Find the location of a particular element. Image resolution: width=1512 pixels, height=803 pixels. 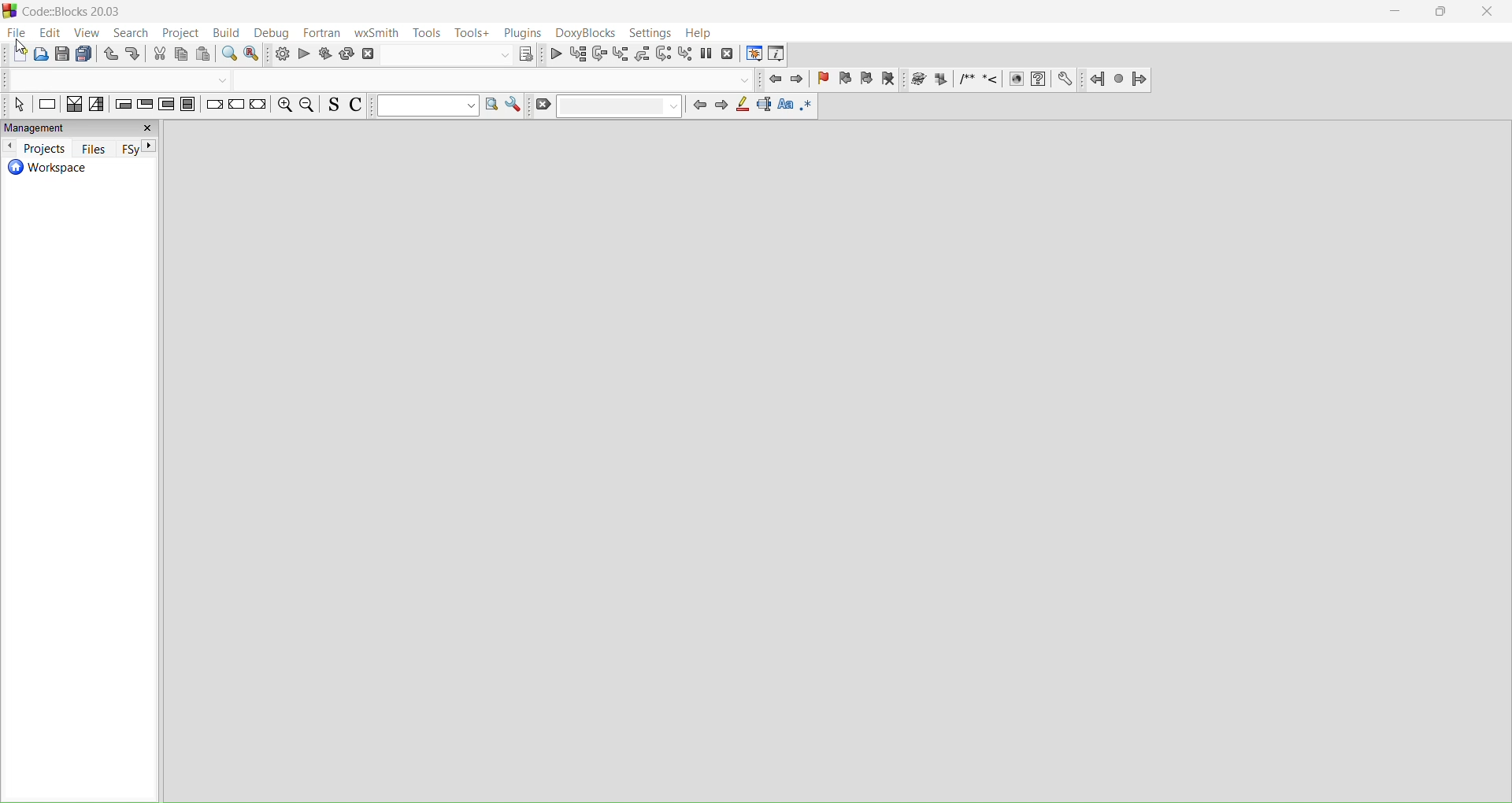

copy is located at coordinates (182, 55).